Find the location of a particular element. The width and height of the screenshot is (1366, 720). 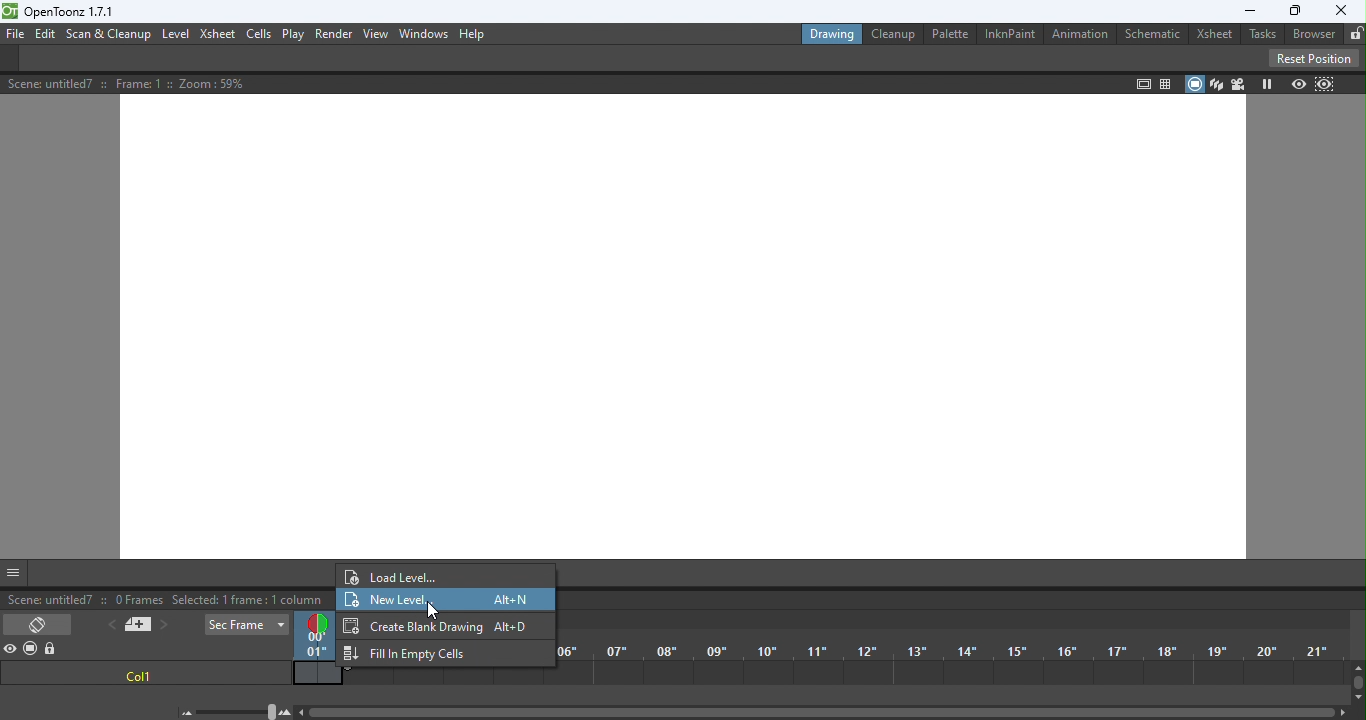

Maximize is located at coordinates (1289, 11).